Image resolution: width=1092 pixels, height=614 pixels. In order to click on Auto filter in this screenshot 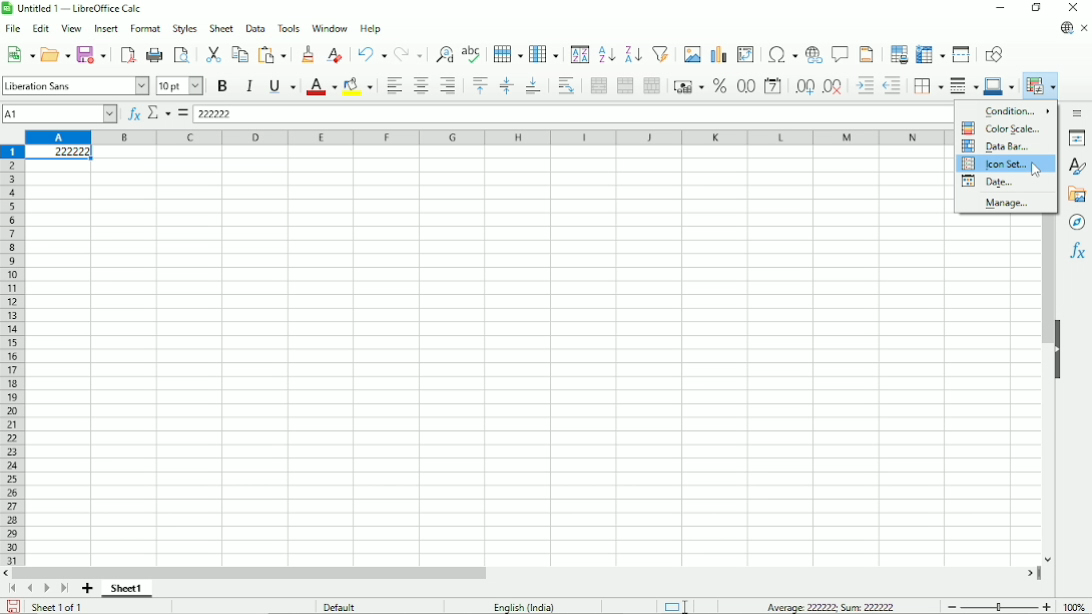, I will do `click(661, 52)`.